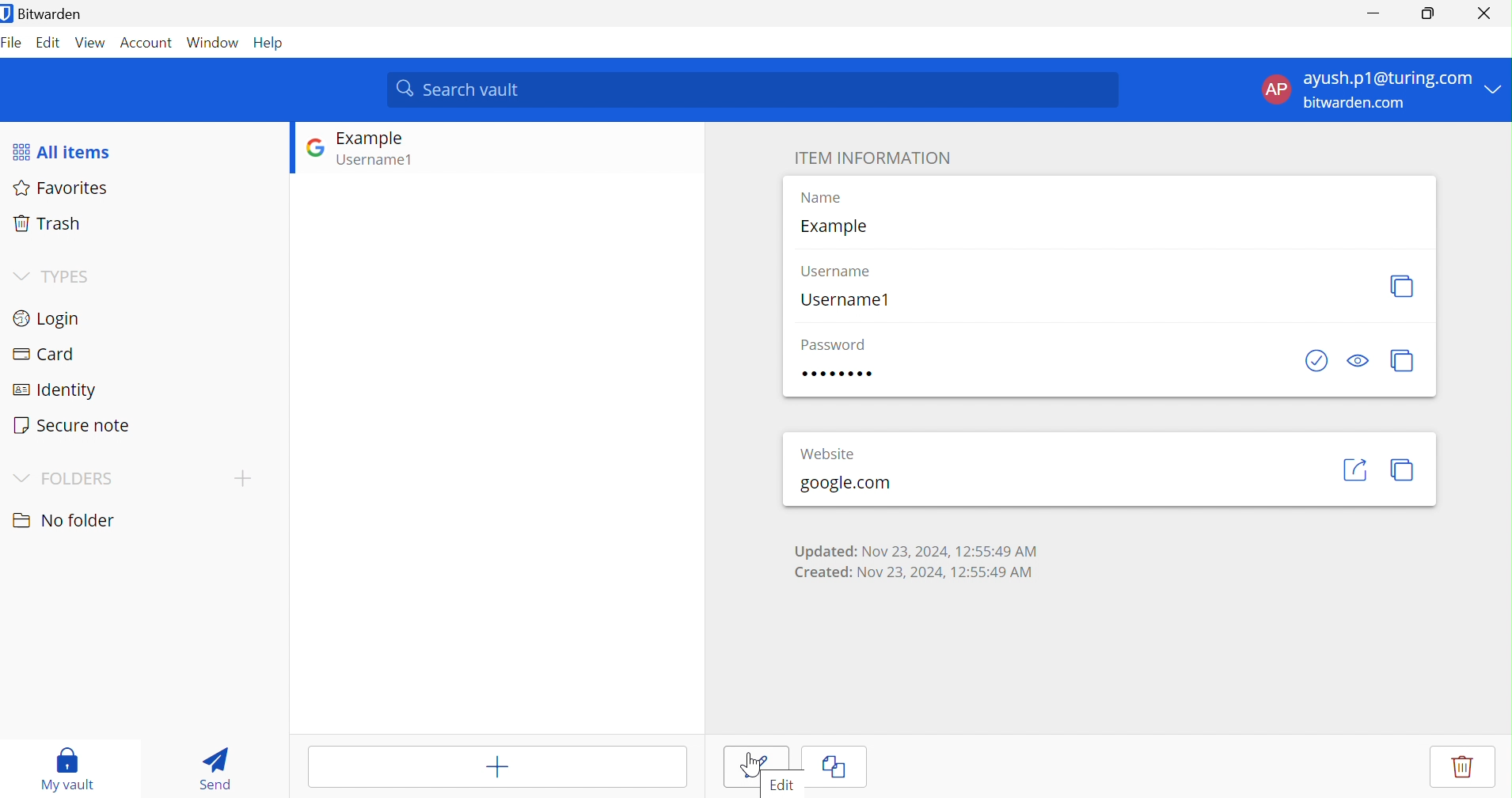  Describe the element at coordinates (62, 520) in the screenshot. I see `No folder` at that location.